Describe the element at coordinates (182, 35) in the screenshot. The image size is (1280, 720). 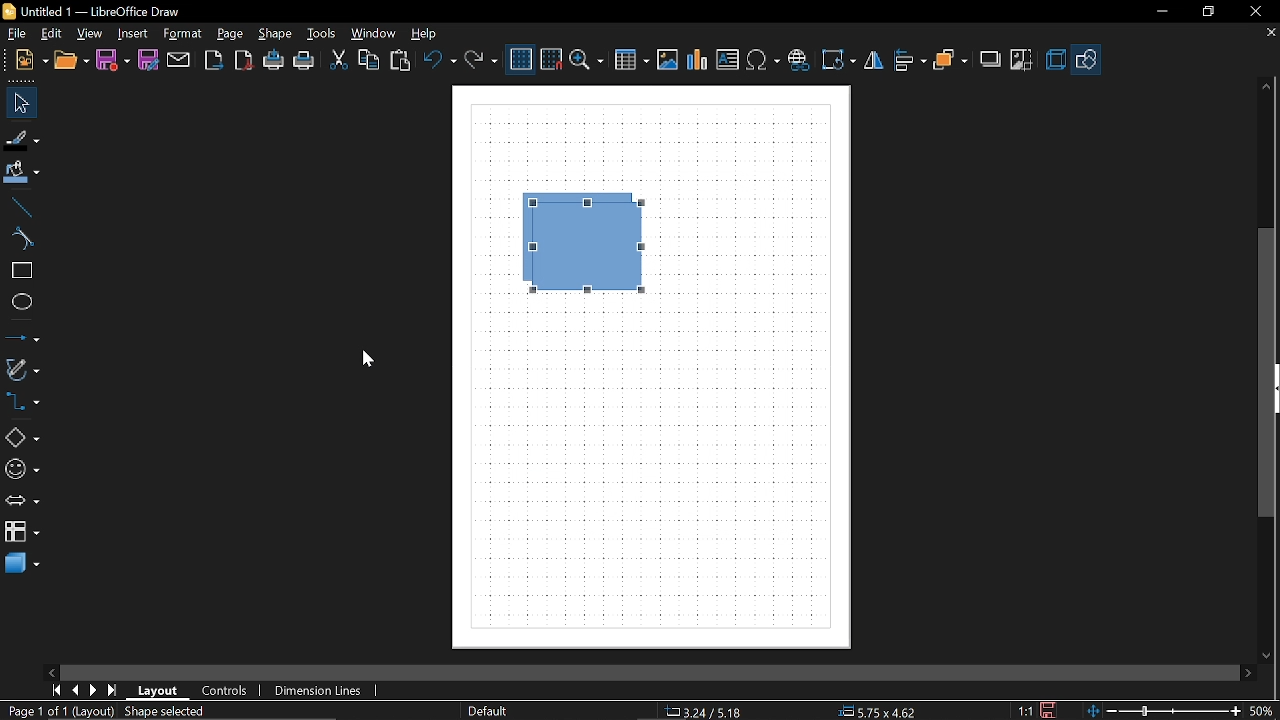
I see `Format` at that location.